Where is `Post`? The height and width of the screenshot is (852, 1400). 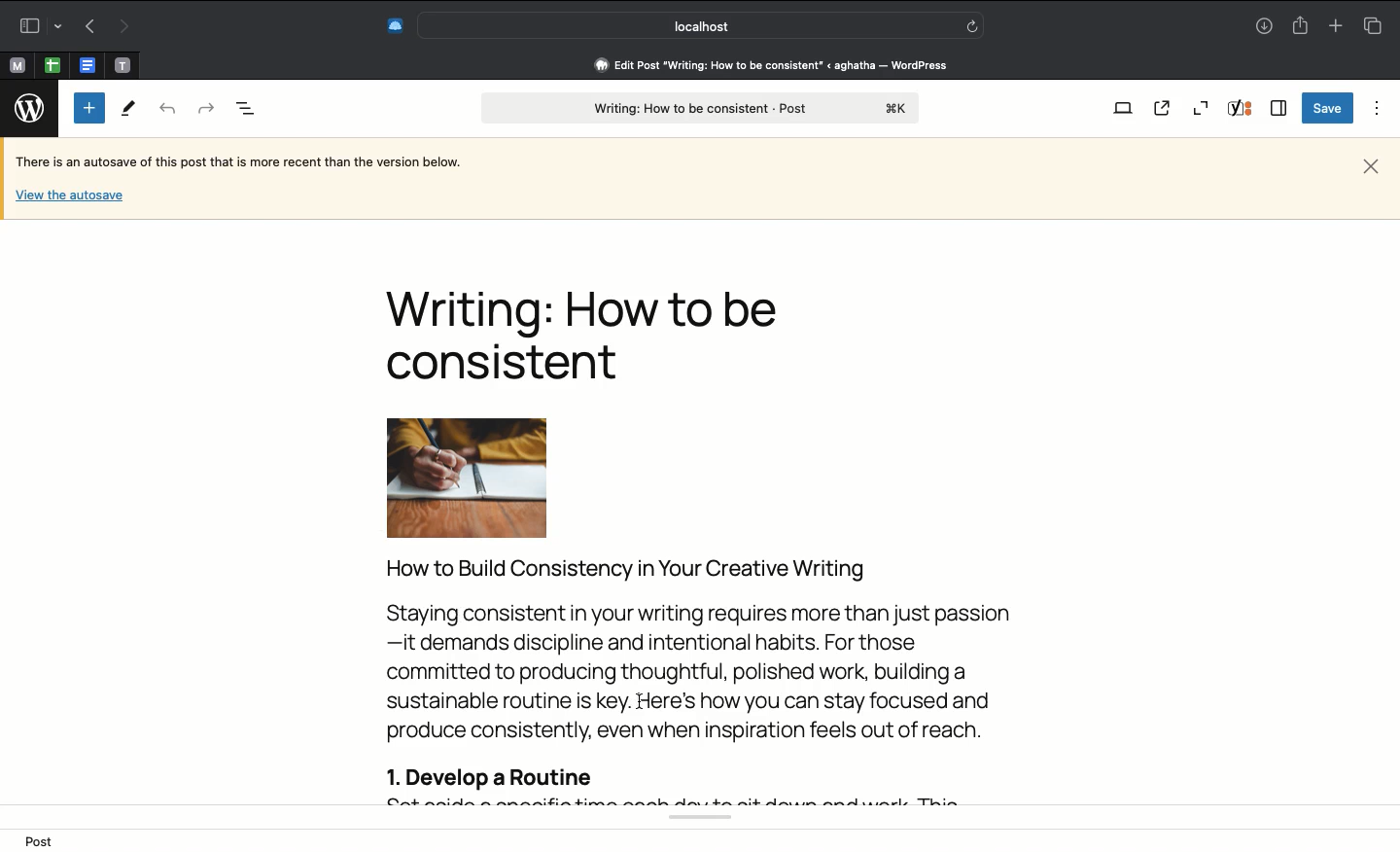
Post is located at coordinates (699, 109).